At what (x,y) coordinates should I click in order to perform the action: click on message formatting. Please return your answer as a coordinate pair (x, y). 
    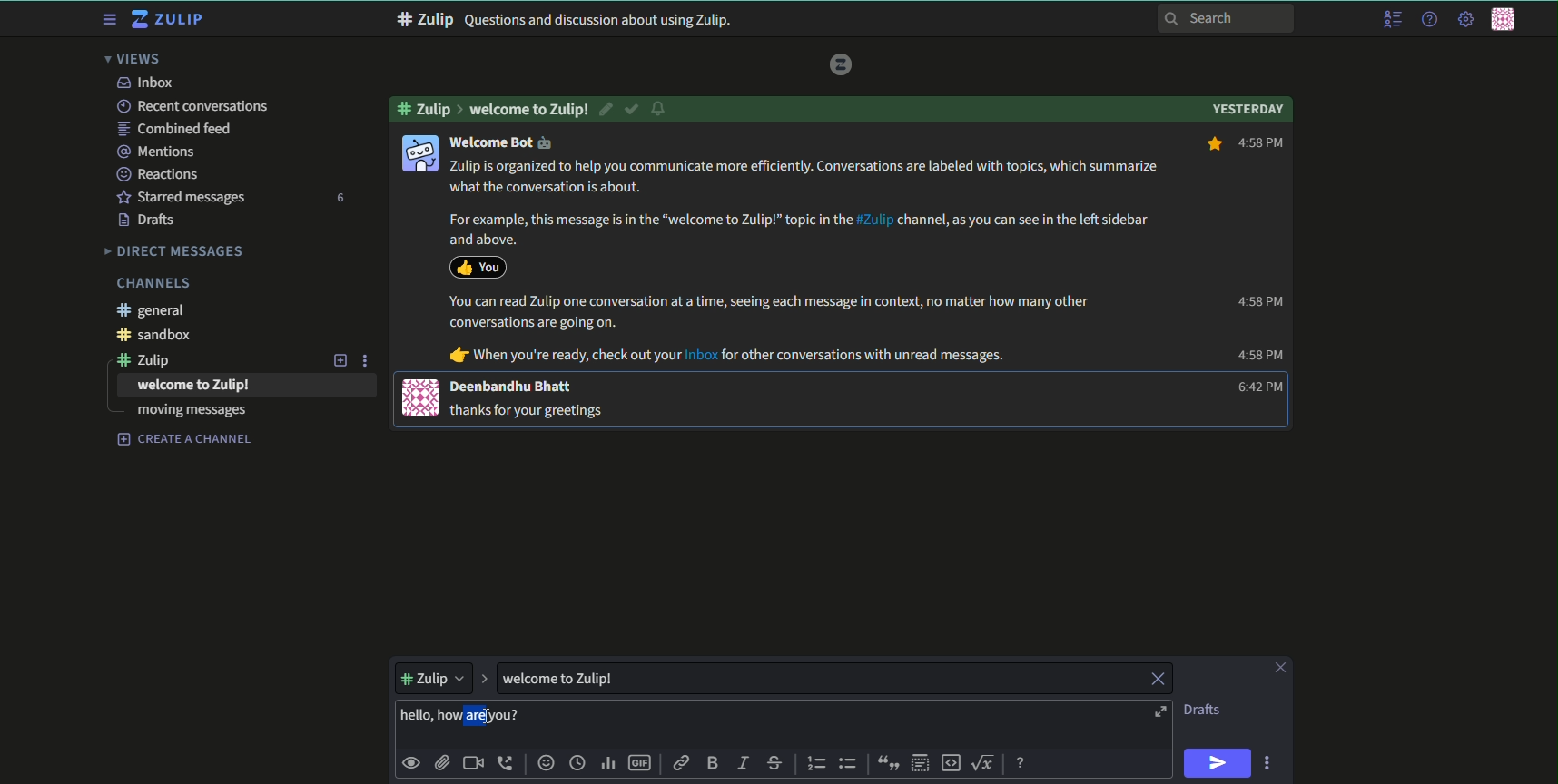
    Looking at the image, I should click on (1022, 760).